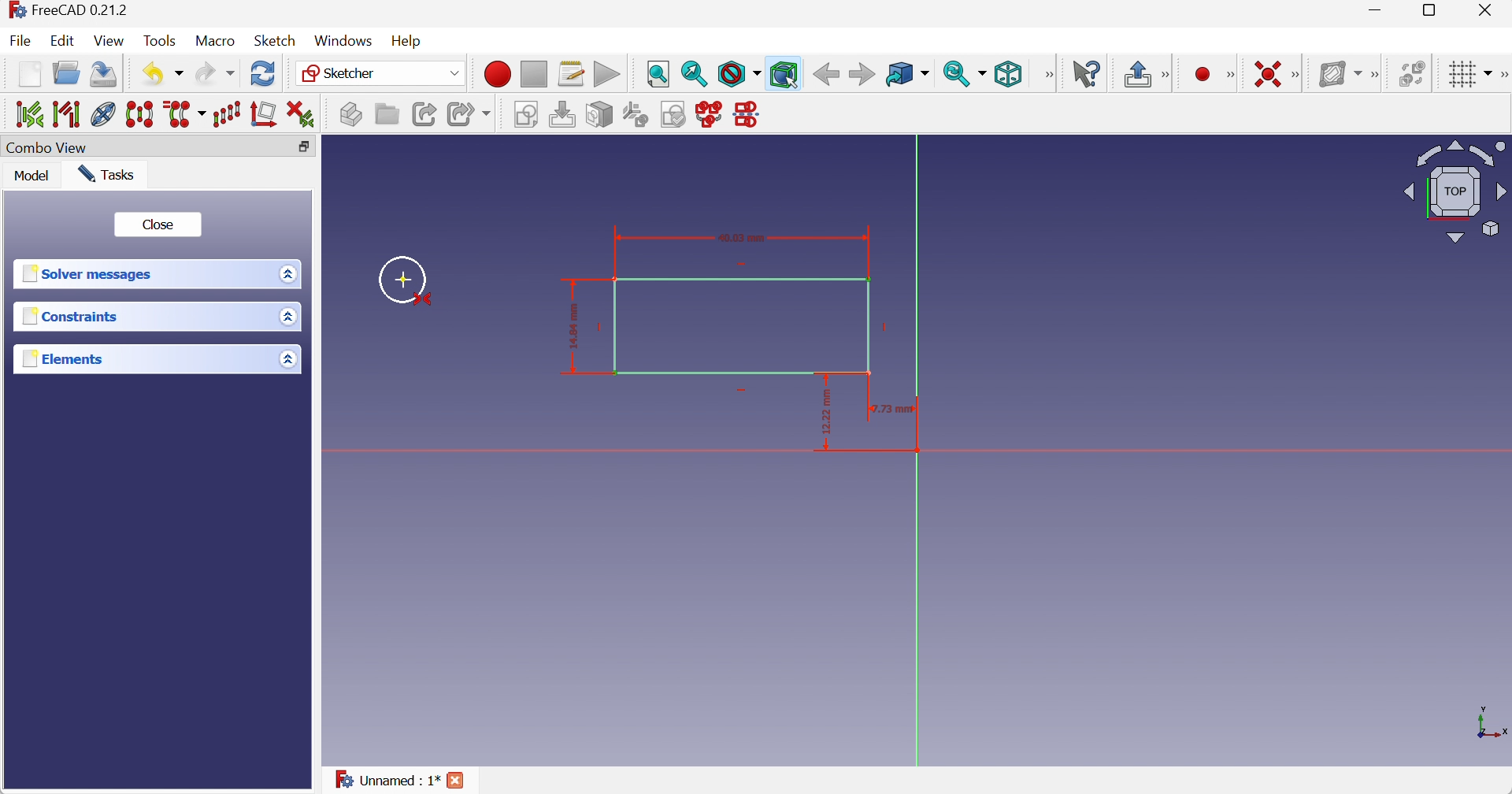 The image size is (1512, 794). I want to click on Open..., so click(66, 72).